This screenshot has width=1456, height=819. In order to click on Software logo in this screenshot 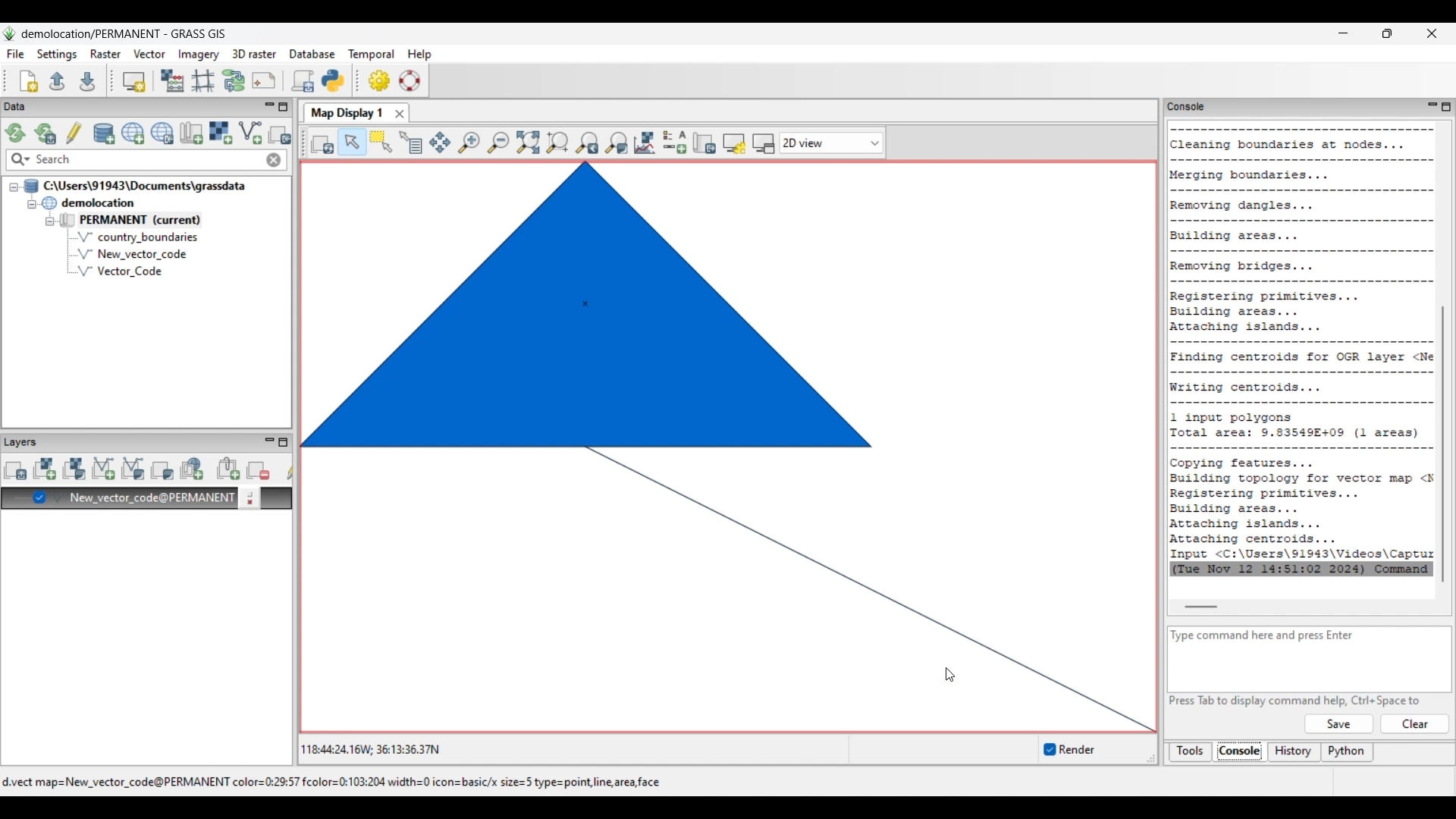, I will do `click(10, 33)`.